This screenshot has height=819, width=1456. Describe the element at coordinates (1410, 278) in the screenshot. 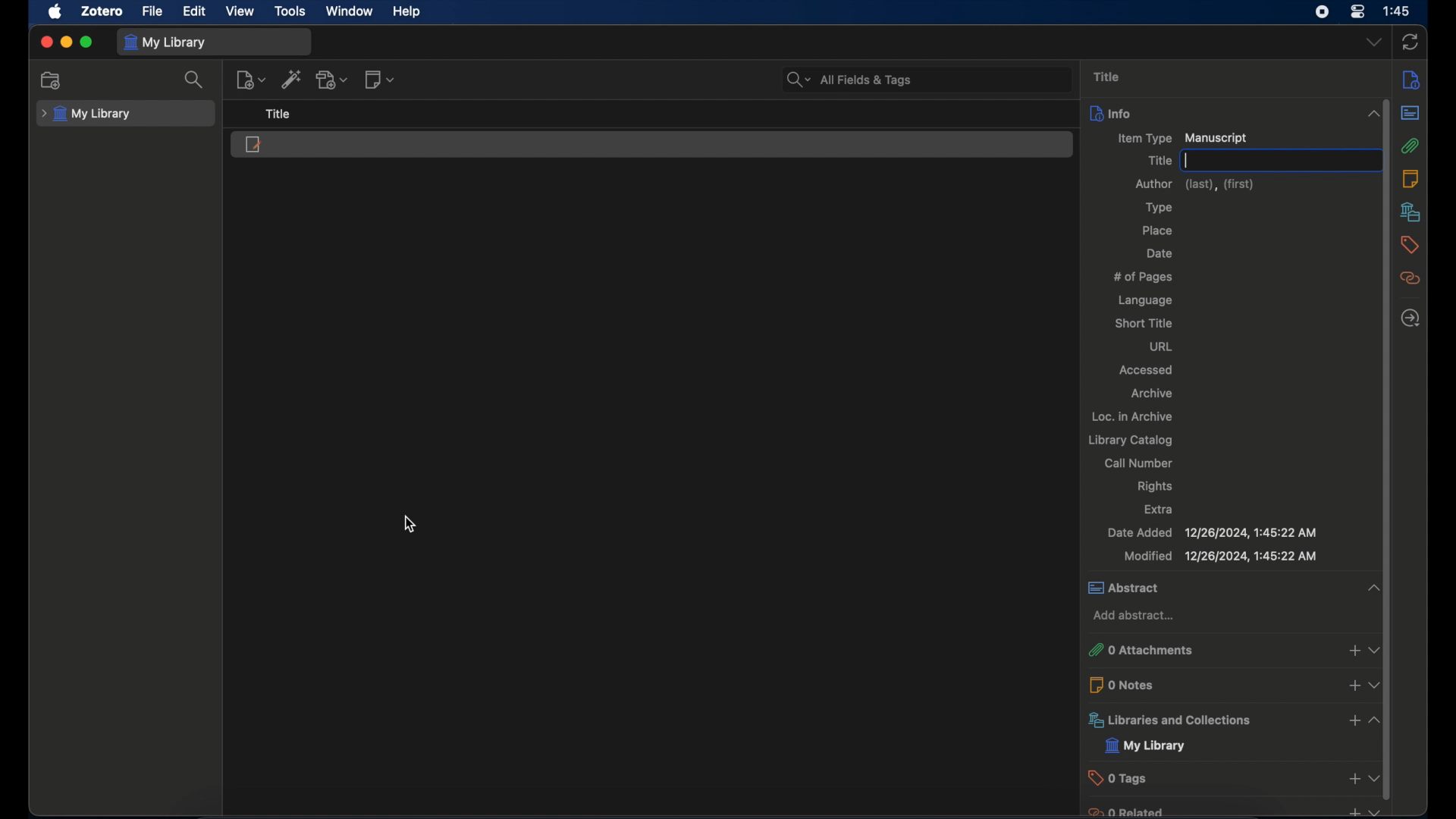

I see `related` at that location.